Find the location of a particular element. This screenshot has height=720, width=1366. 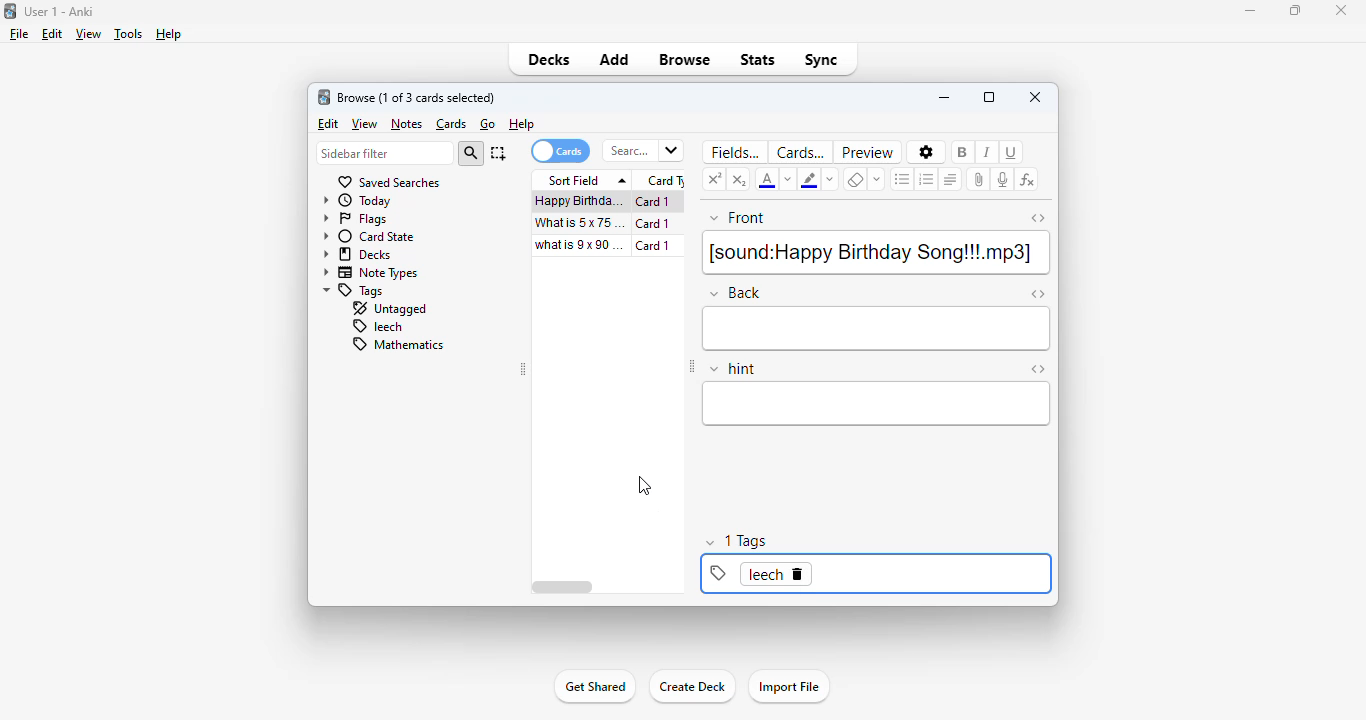

get shared is located at coordinates (594, 687).